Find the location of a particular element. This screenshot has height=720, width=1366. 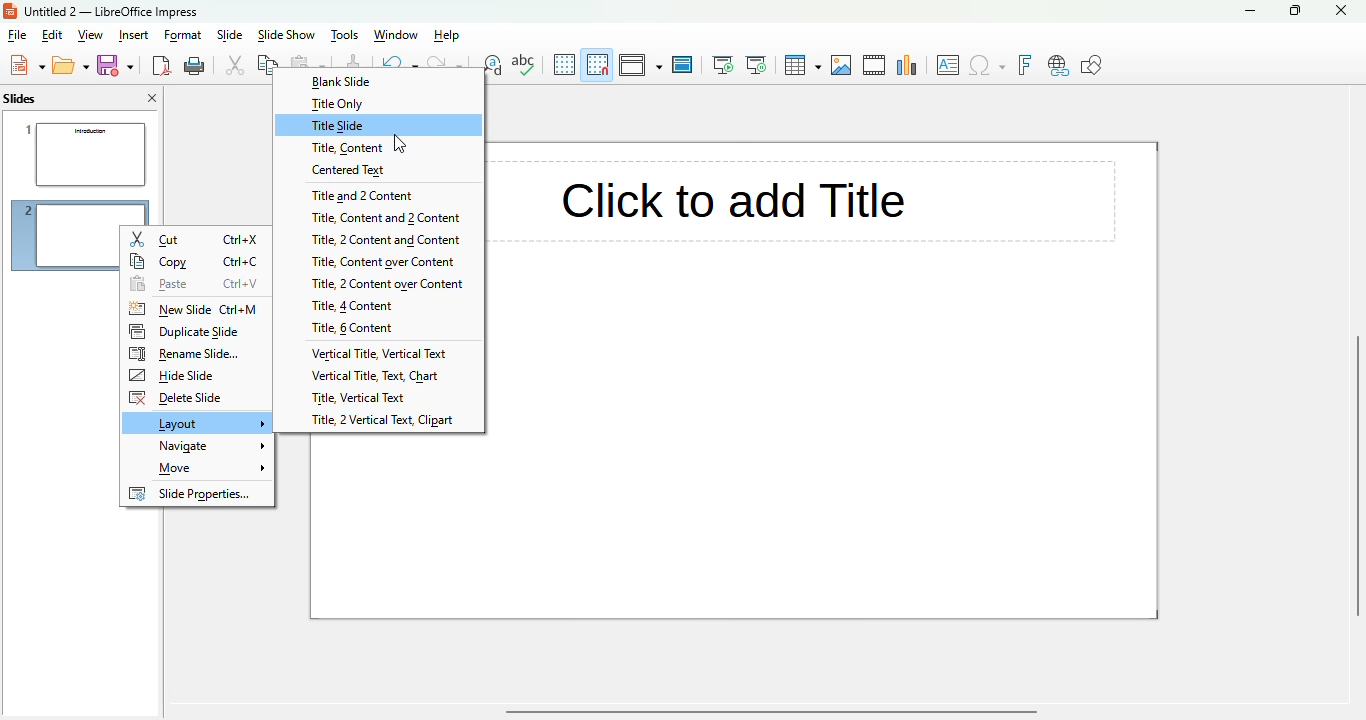

title, vertical text is located at coordinates (377, 398).